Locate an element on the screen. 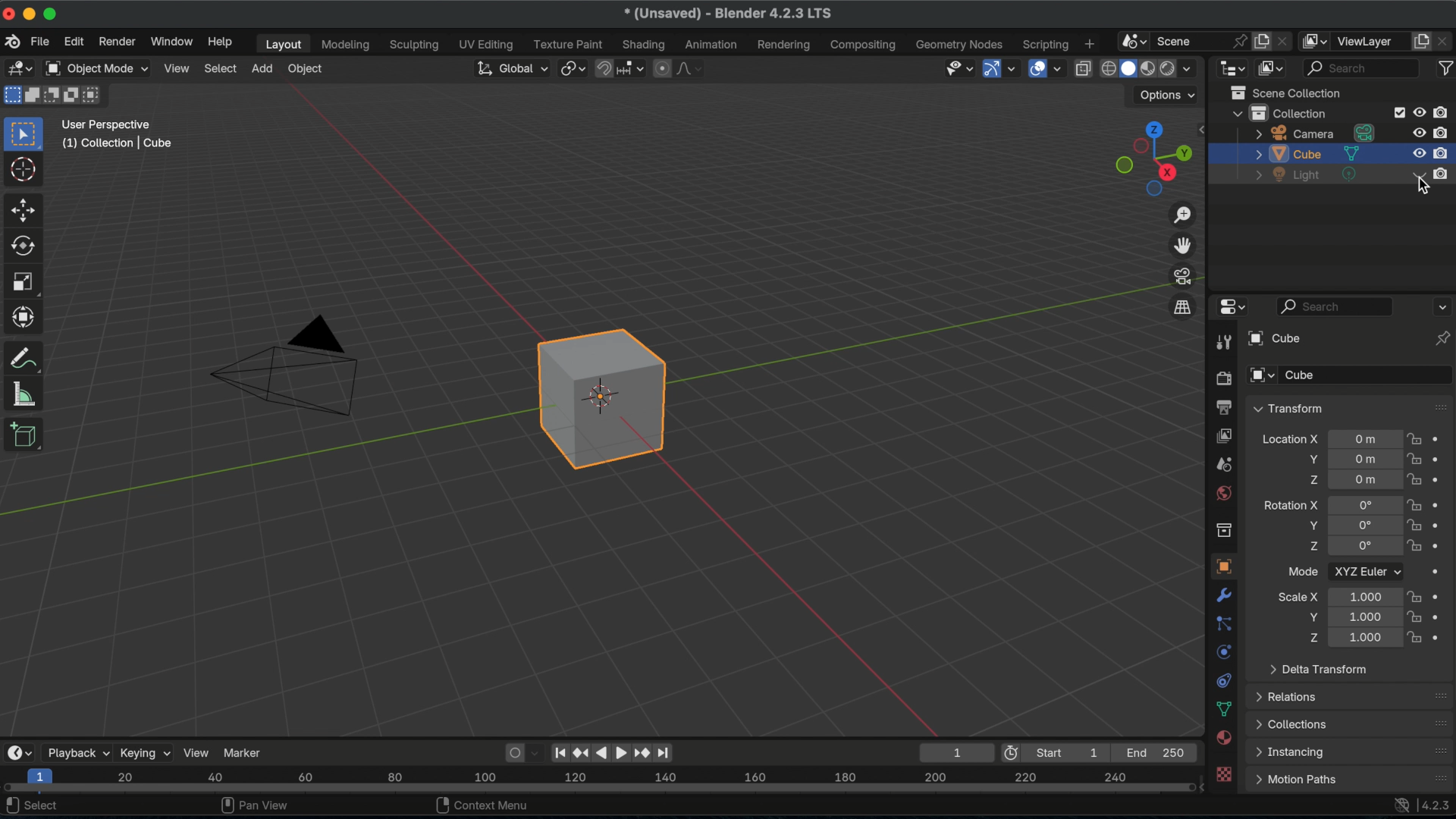 Image resolution: width=1456 pixels, height=819 pixels. snapping is located at coordinates (620, 67).